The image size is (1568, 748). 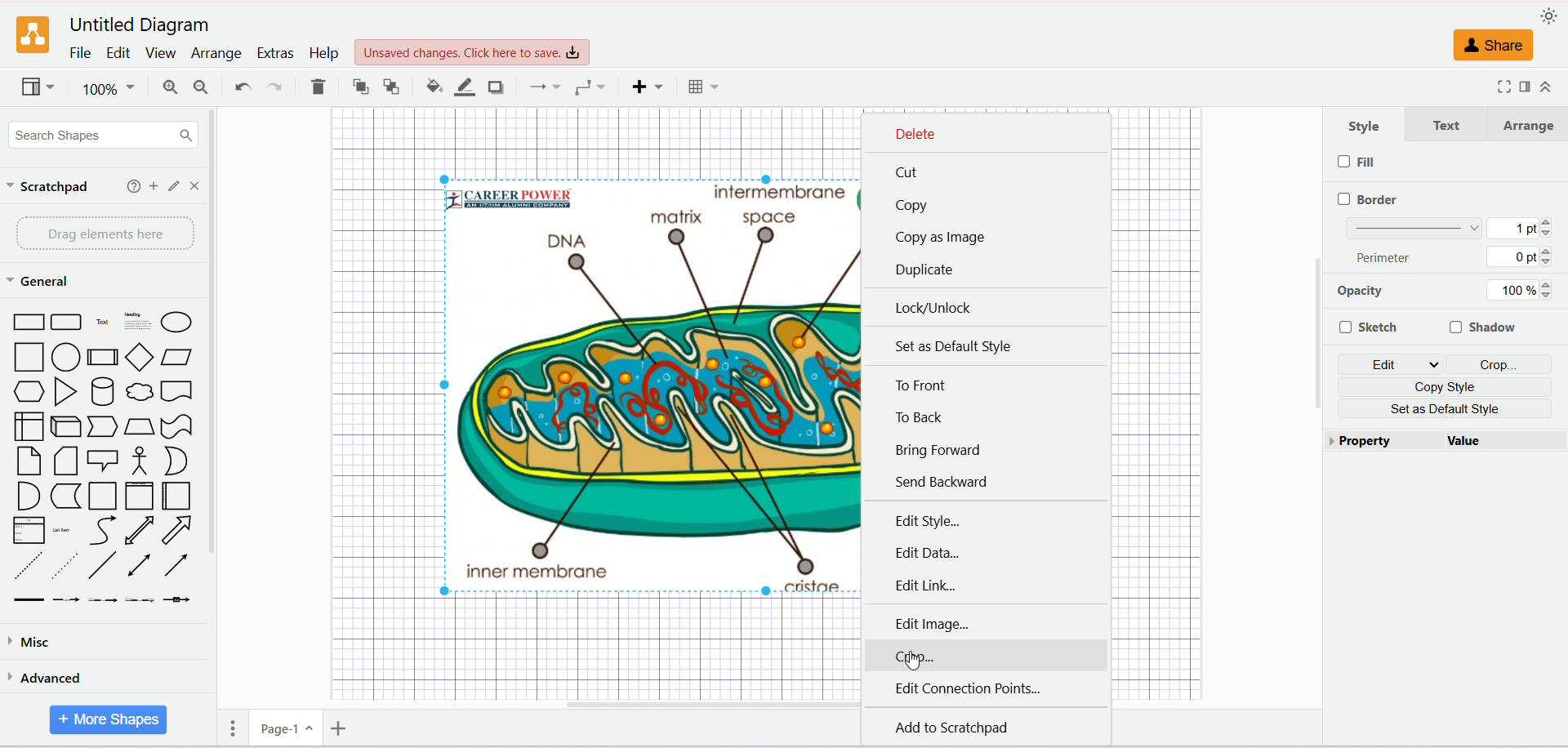 What do you see at coordinates (50, 189) in the screenshot?
I see `scratchpad` at bounding box center [50, 189].